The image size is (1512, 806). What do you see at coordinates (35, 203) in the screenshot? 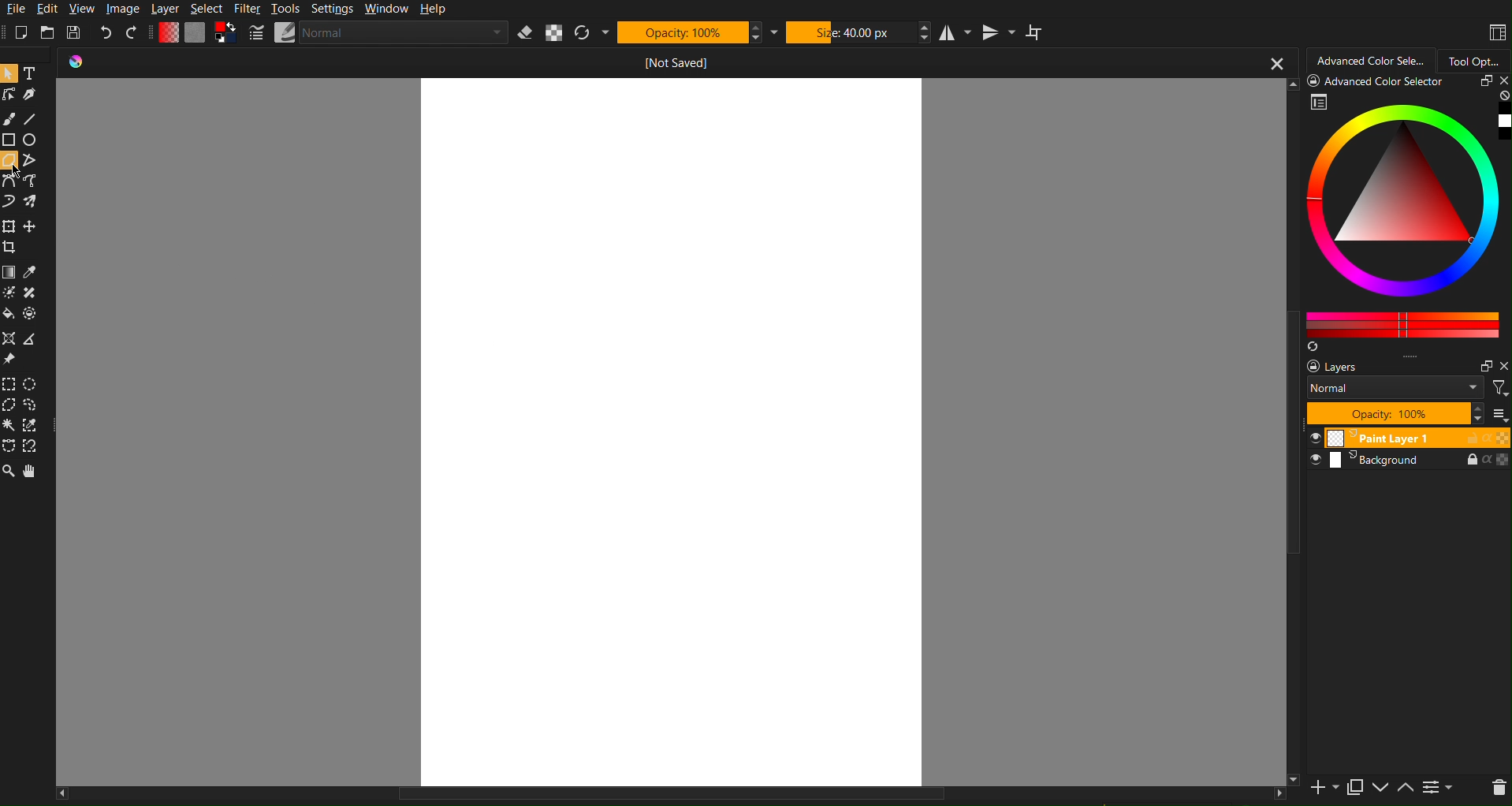
I see `multibrush tool` at bounding box center [35, 203].